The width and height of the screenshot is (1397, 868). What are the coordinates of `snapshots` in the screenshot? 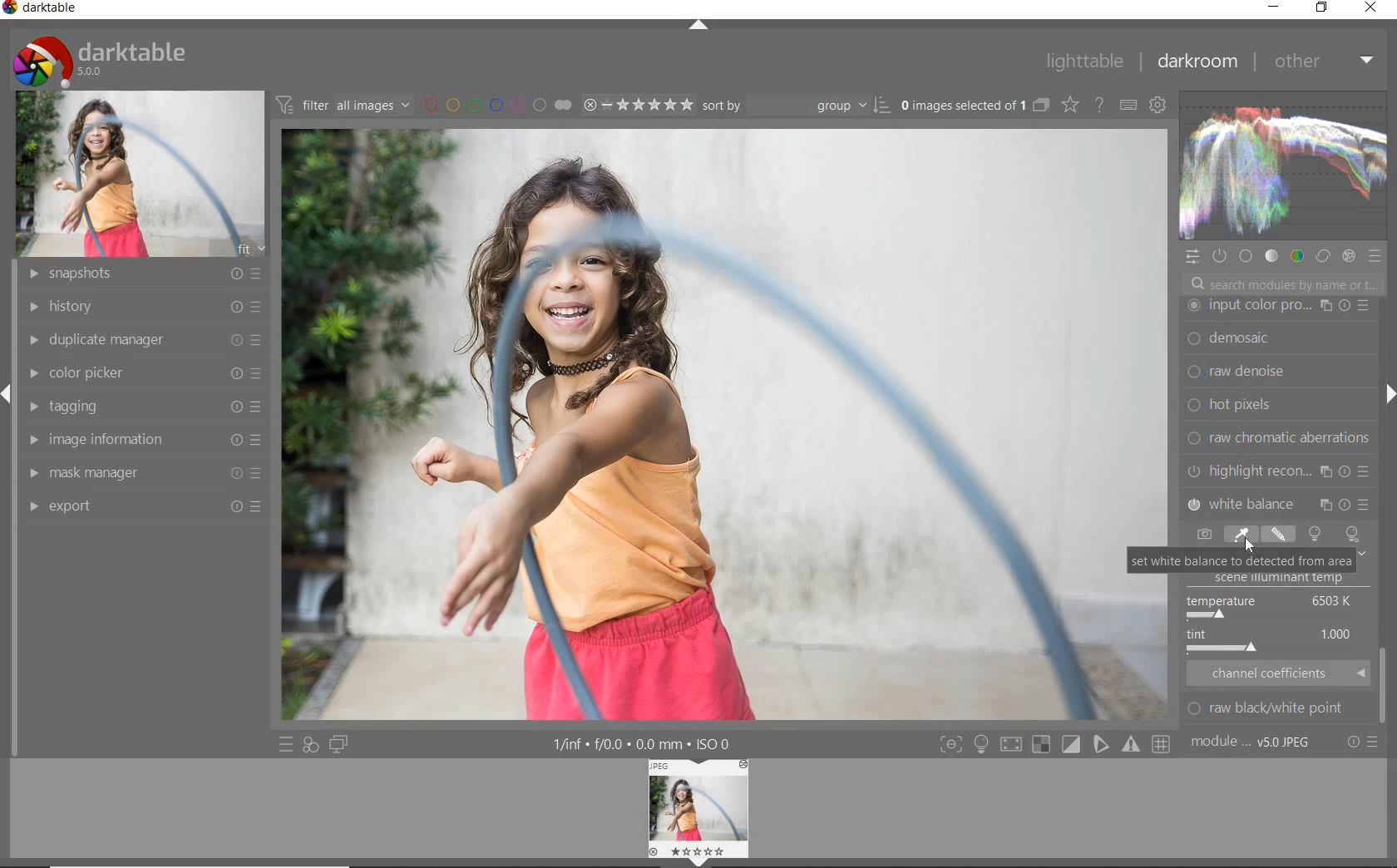 It's located at (139, 274).